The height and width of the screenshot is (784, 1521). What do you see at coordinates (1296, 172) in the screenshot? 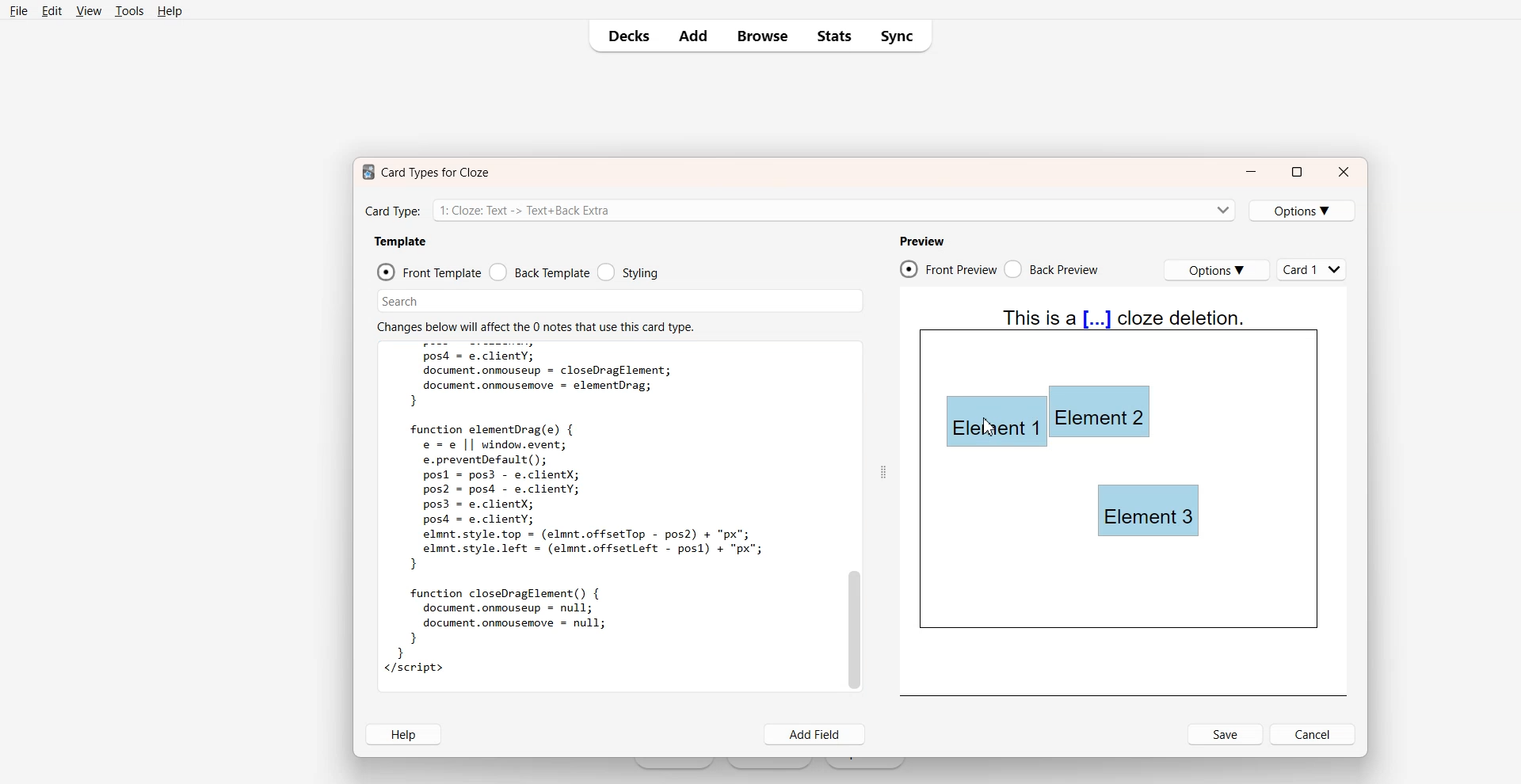
I see `Maximize` at bounding box center [1296, 172].